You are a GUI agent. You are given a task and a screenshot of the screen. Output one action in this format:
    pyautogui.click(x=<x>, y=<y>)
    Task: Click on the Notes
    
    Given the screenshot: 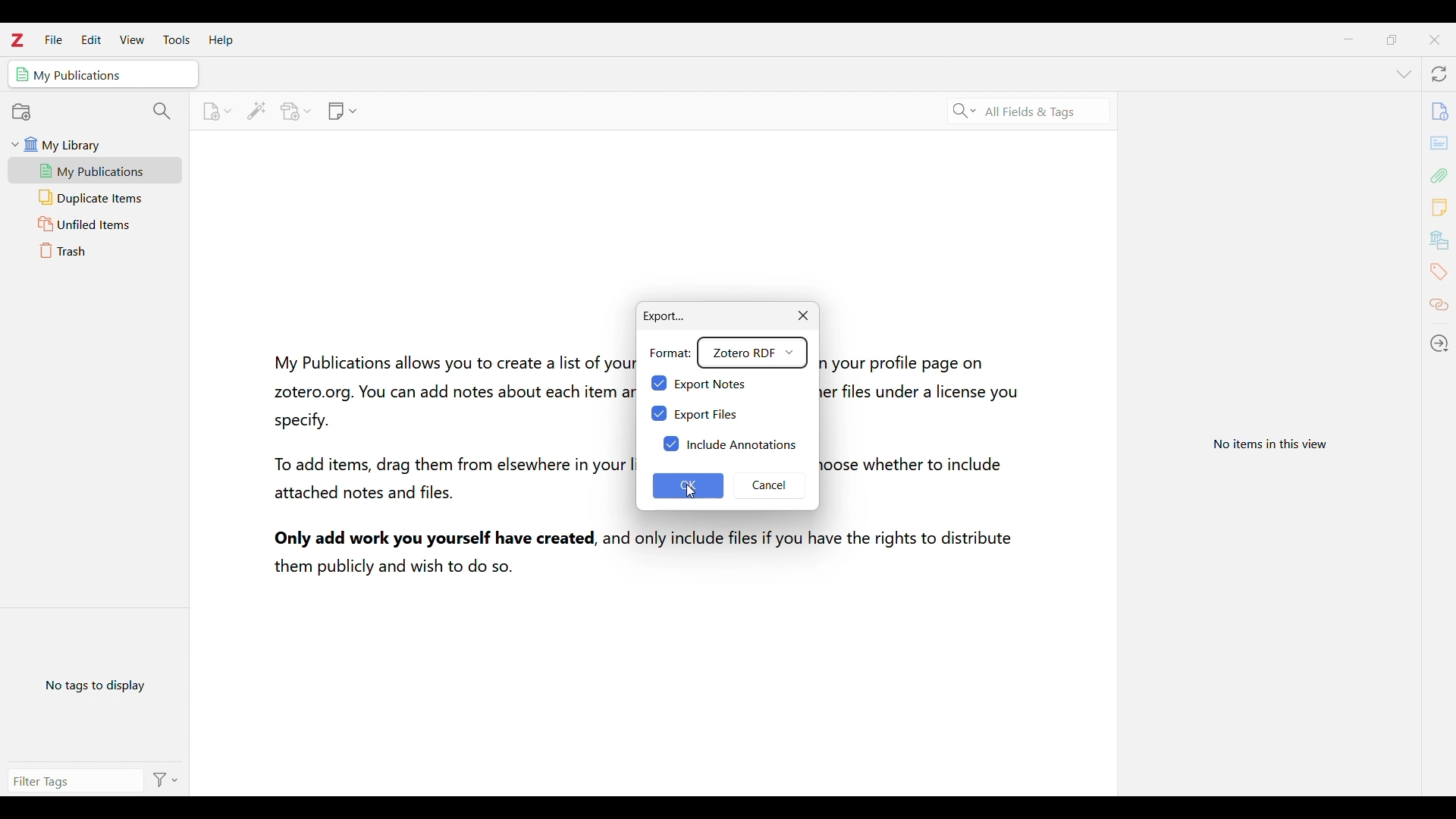 What is the action you would take?
    pyautogui.click(x=1440, y=207)
    